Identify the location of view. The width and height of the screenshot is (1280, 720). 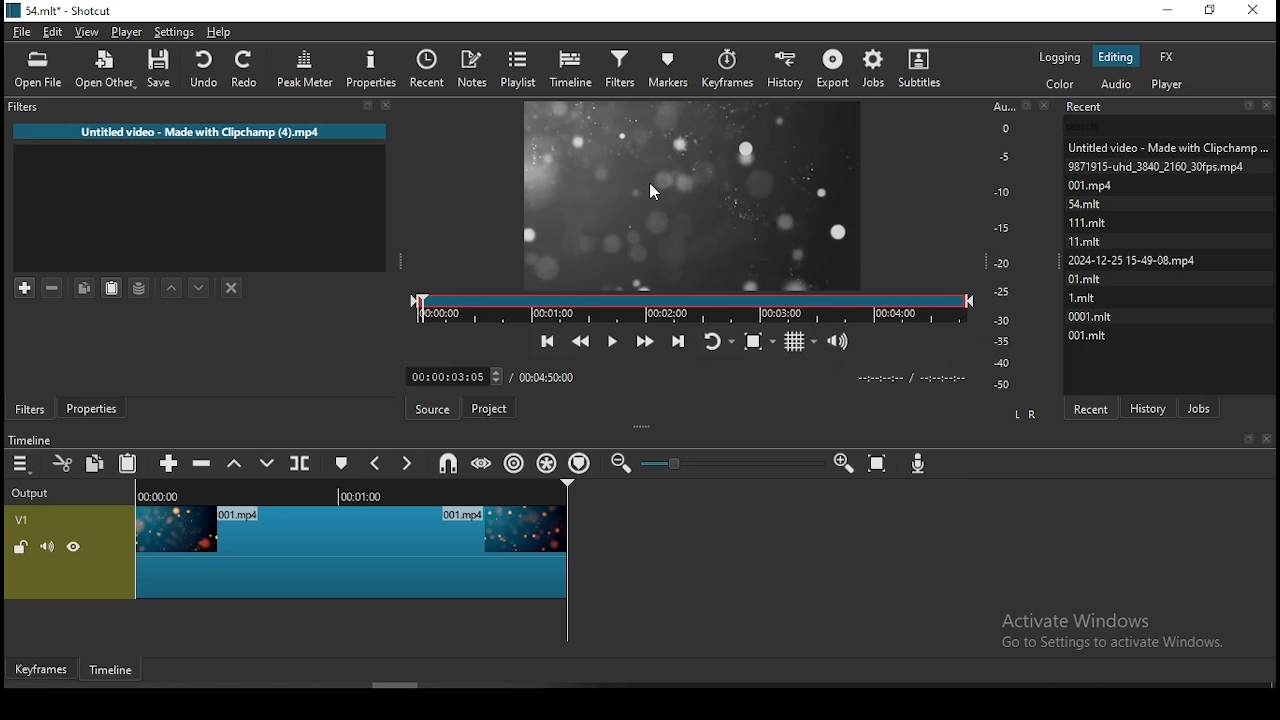
(87, 32).